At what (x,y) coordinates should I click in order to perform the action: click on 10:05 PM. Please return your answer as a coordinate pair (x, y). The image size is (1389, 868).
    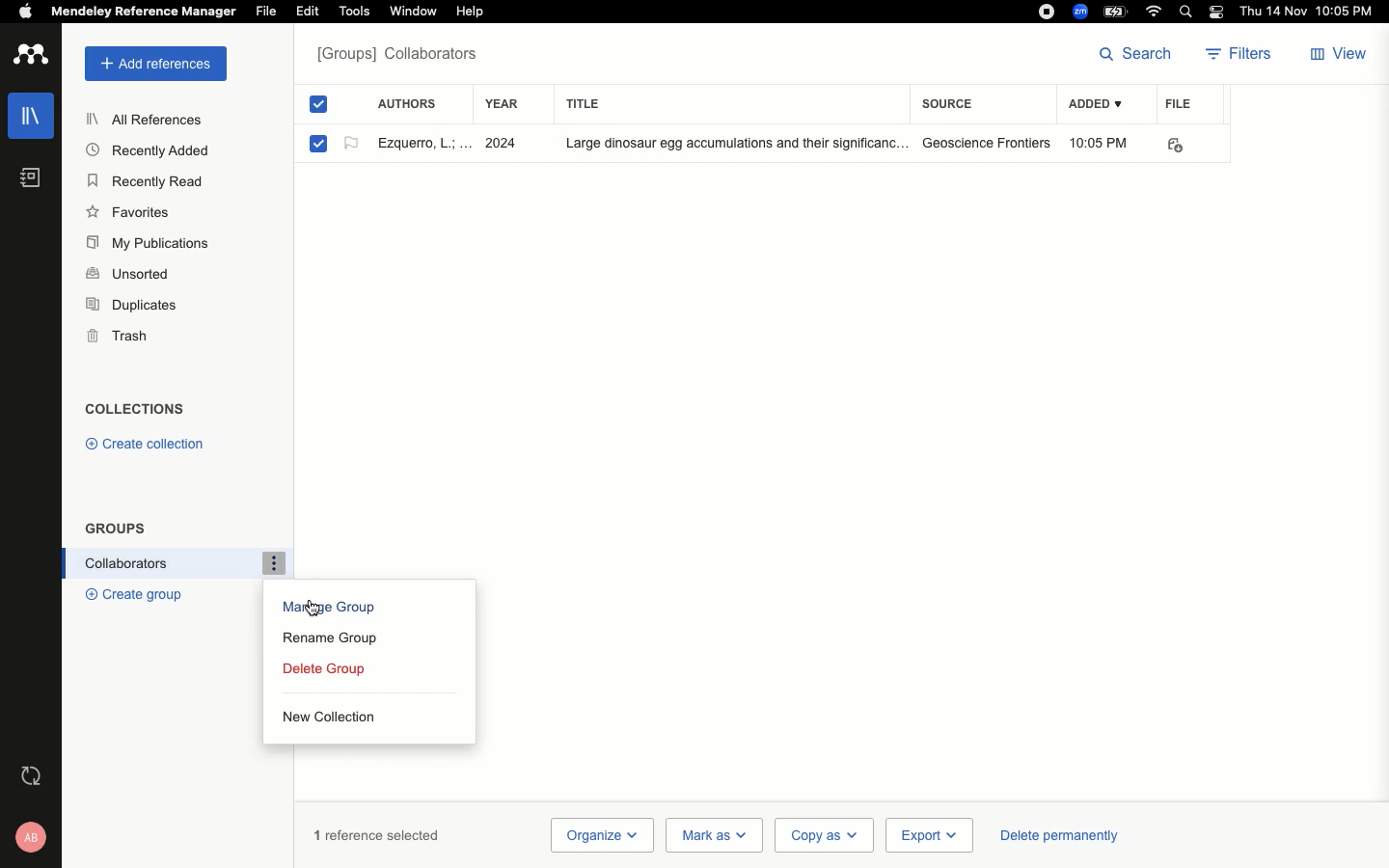
    Looking at the image, I should click on (1102, 143).